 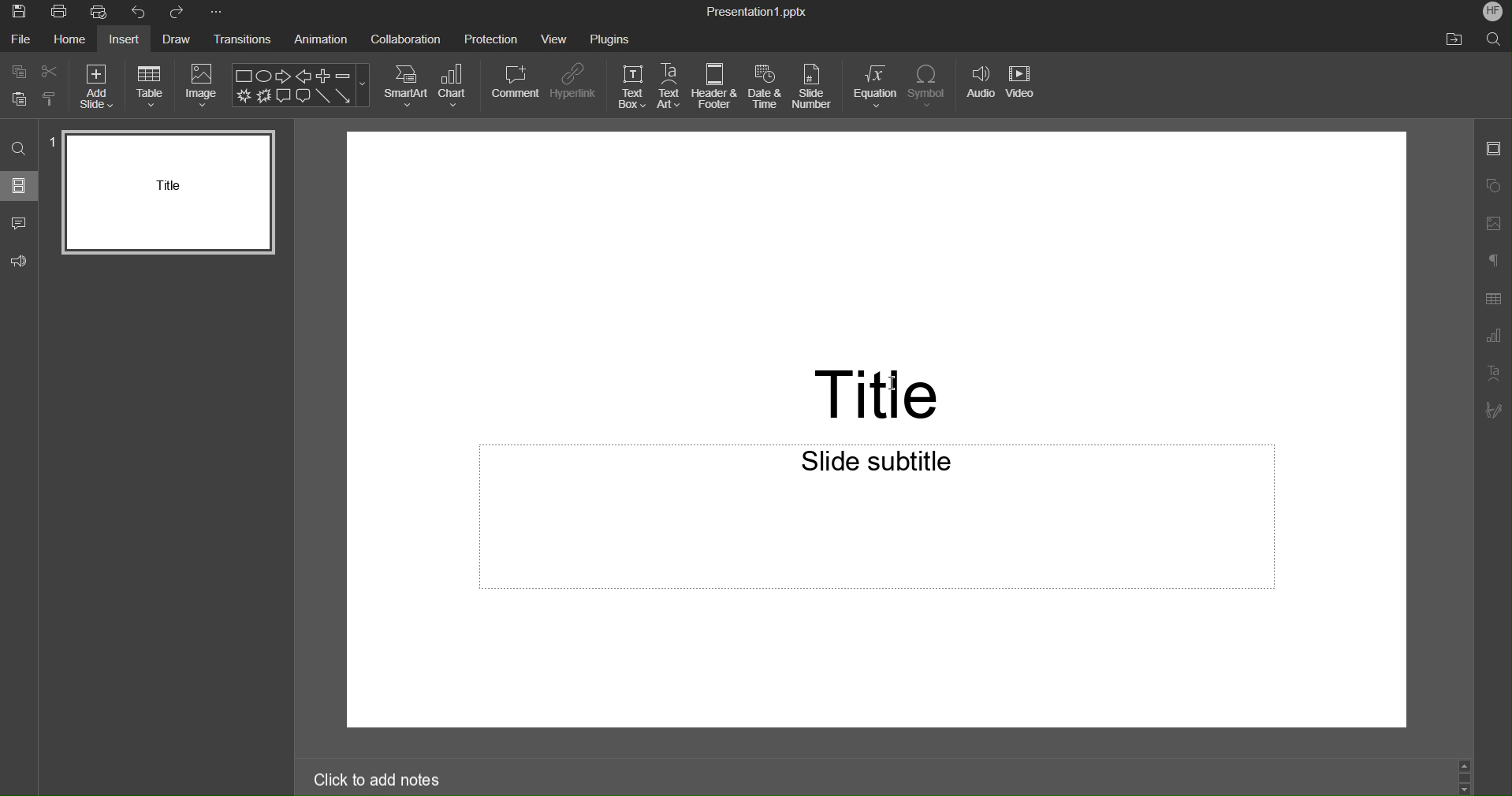 I want to click on Table, so click(x=149, y=85).